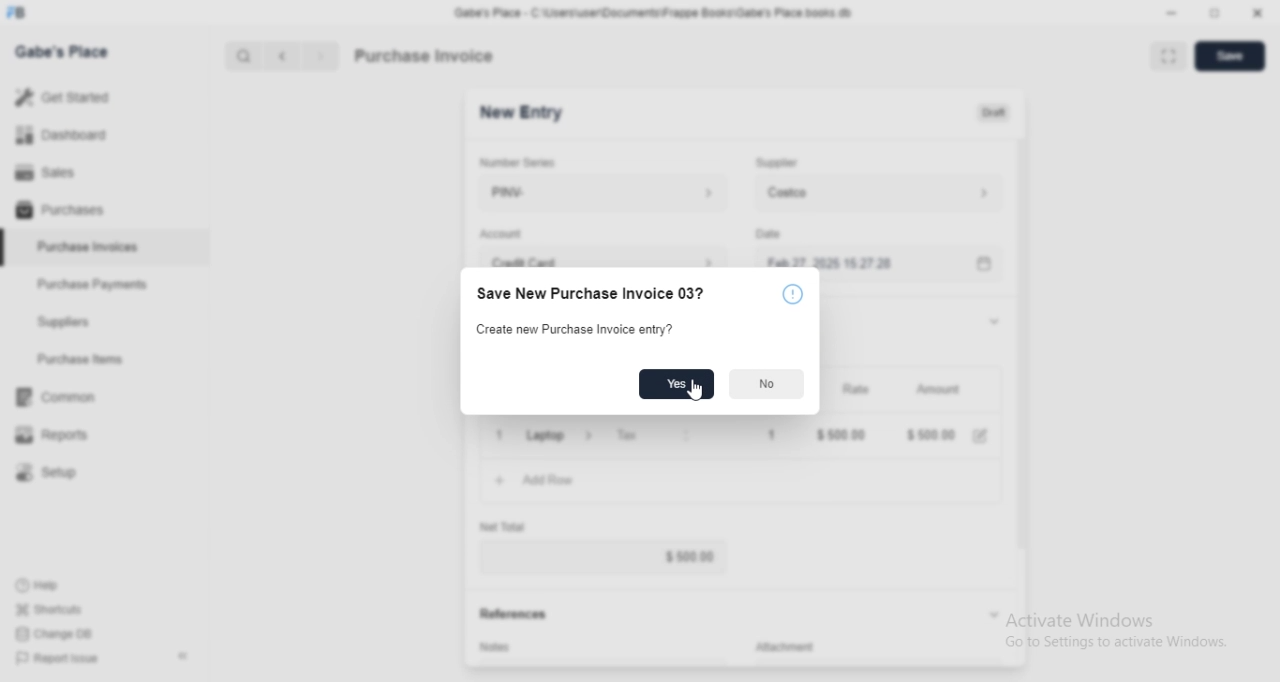 Image resolution: width=1280 pixels, height=682 pixels. I want to click on More information, so click(792, 294).